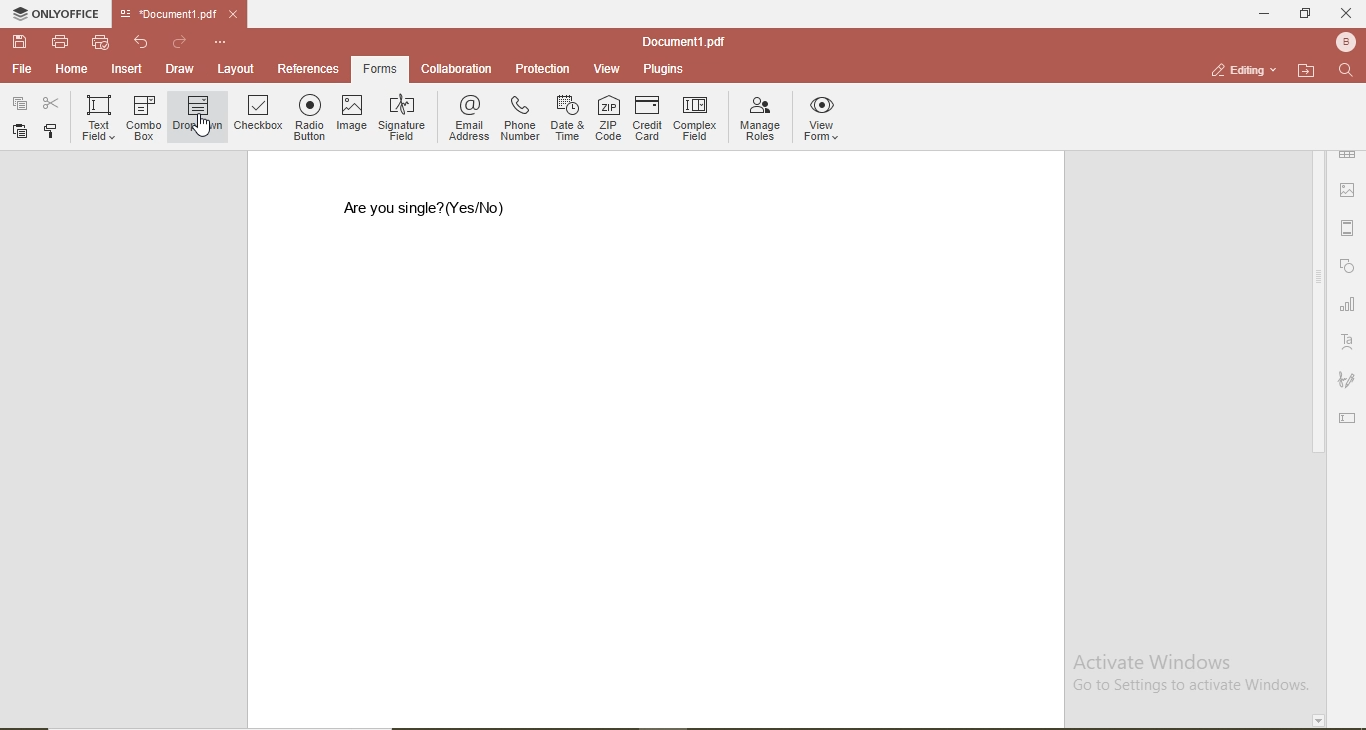 The image size is (1366, 730). Describe the element at coordinates (52, 131) in the screenshot. I see `copy` at that location.